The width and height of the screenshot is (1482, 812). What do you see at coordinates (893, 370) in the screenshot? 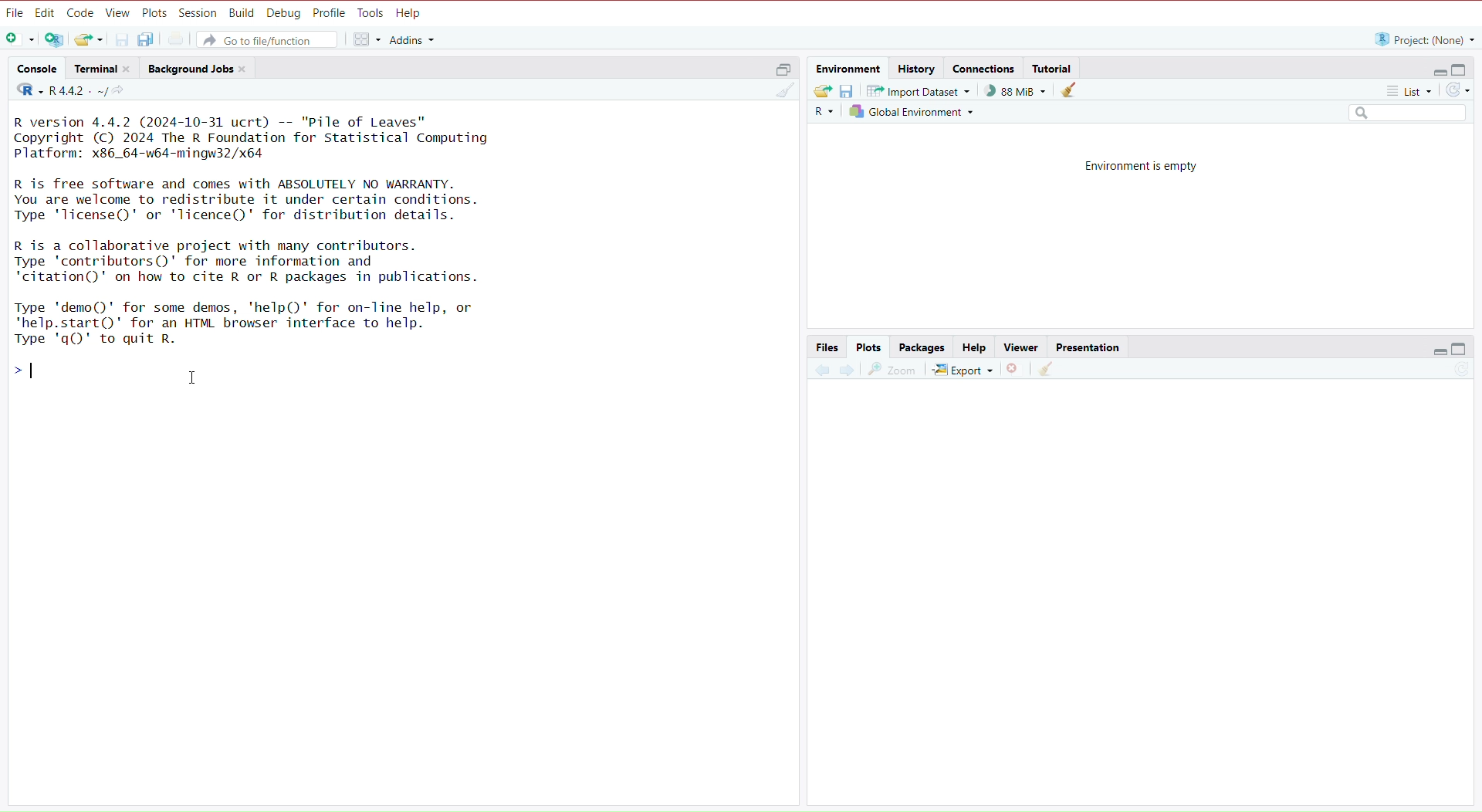
I see `Zoom` at bounding box center [893, 370].